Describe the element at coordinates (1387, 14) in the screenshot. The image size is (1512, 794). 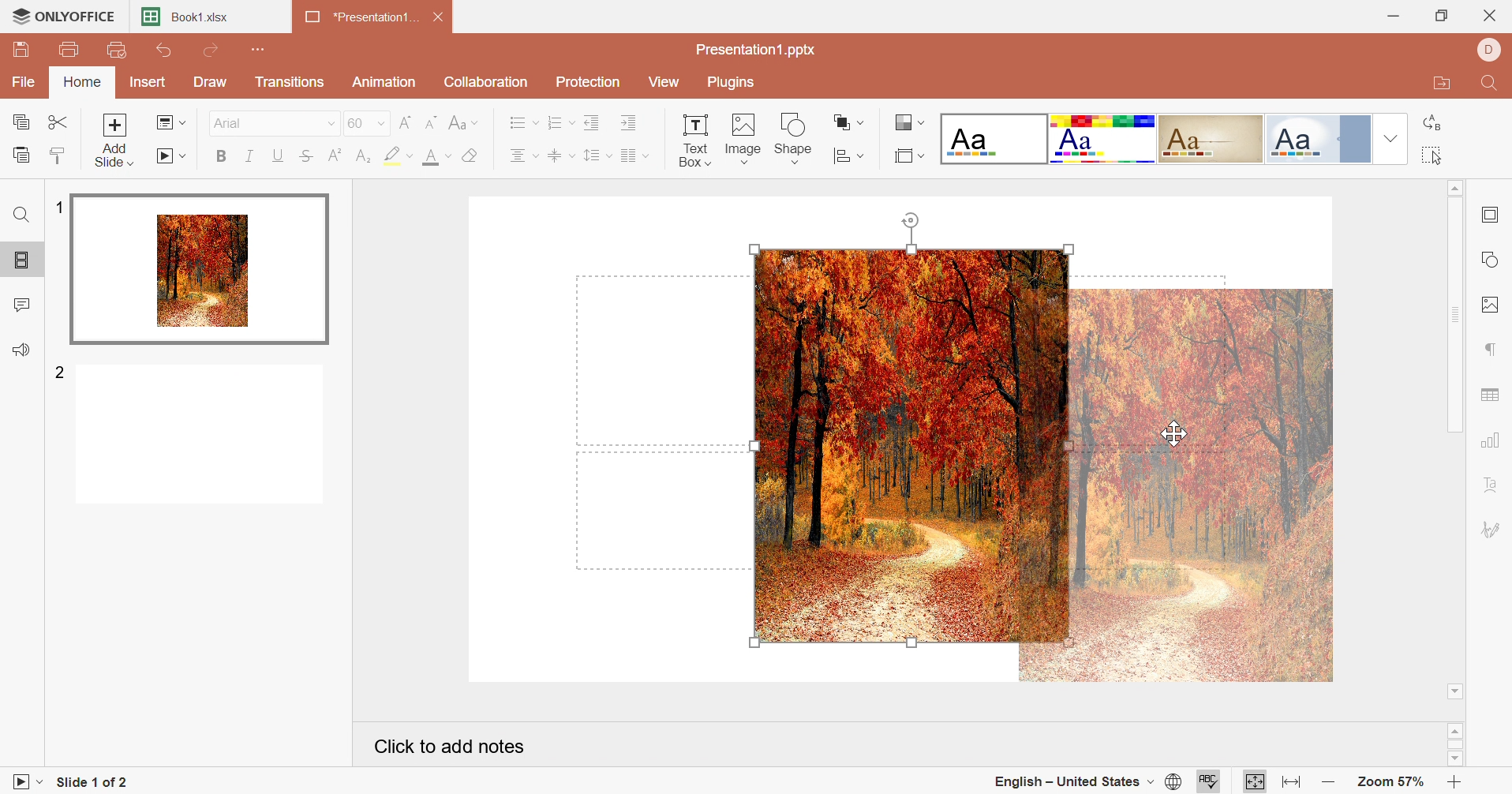
I see `Minimize` at that location.